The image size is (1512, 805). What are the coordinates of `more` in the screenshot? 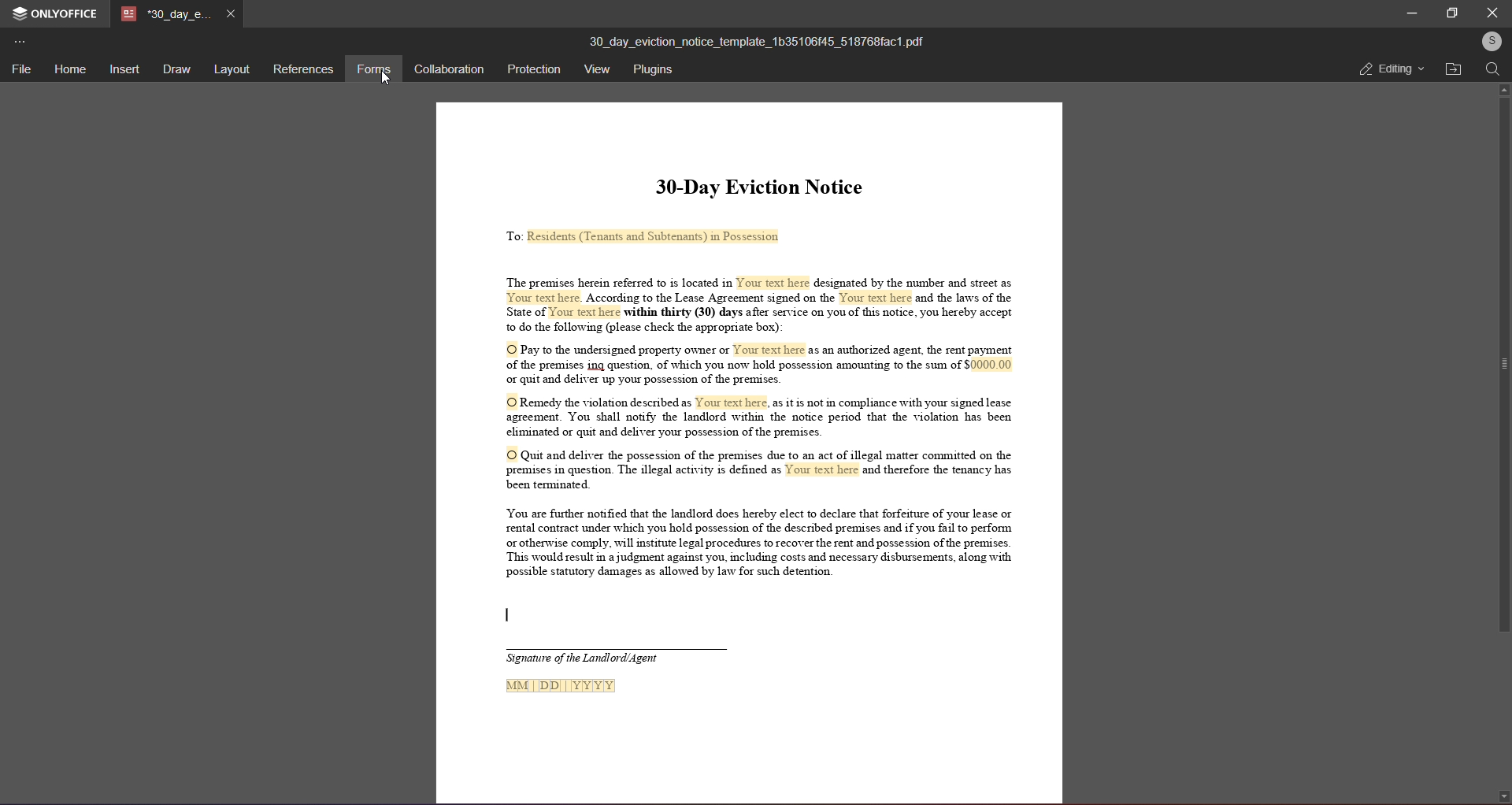 It's located at (24, 42).